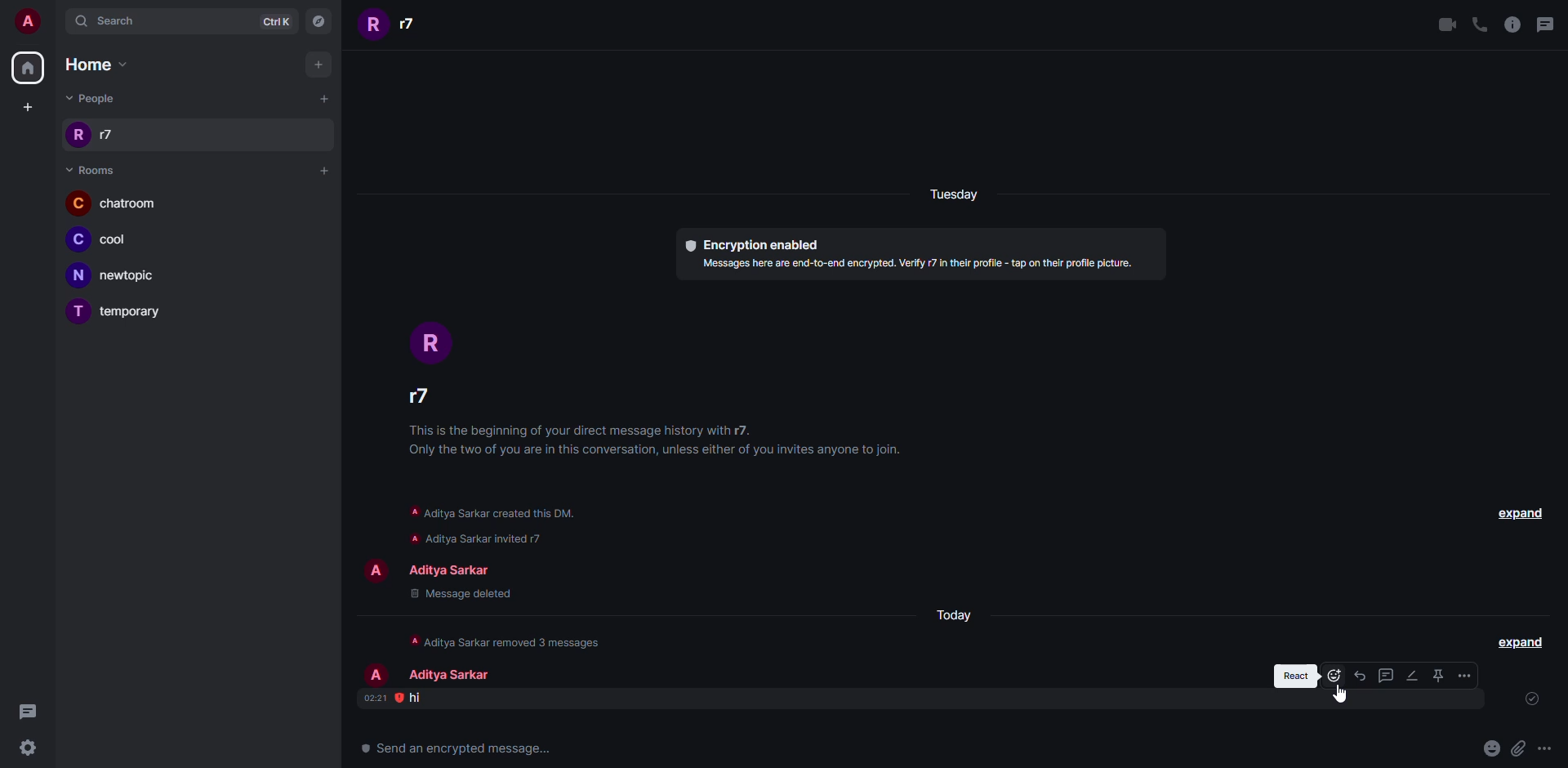 The height and width of the screenshot is (768, 1568). I want to click on people, so click(91, 136).